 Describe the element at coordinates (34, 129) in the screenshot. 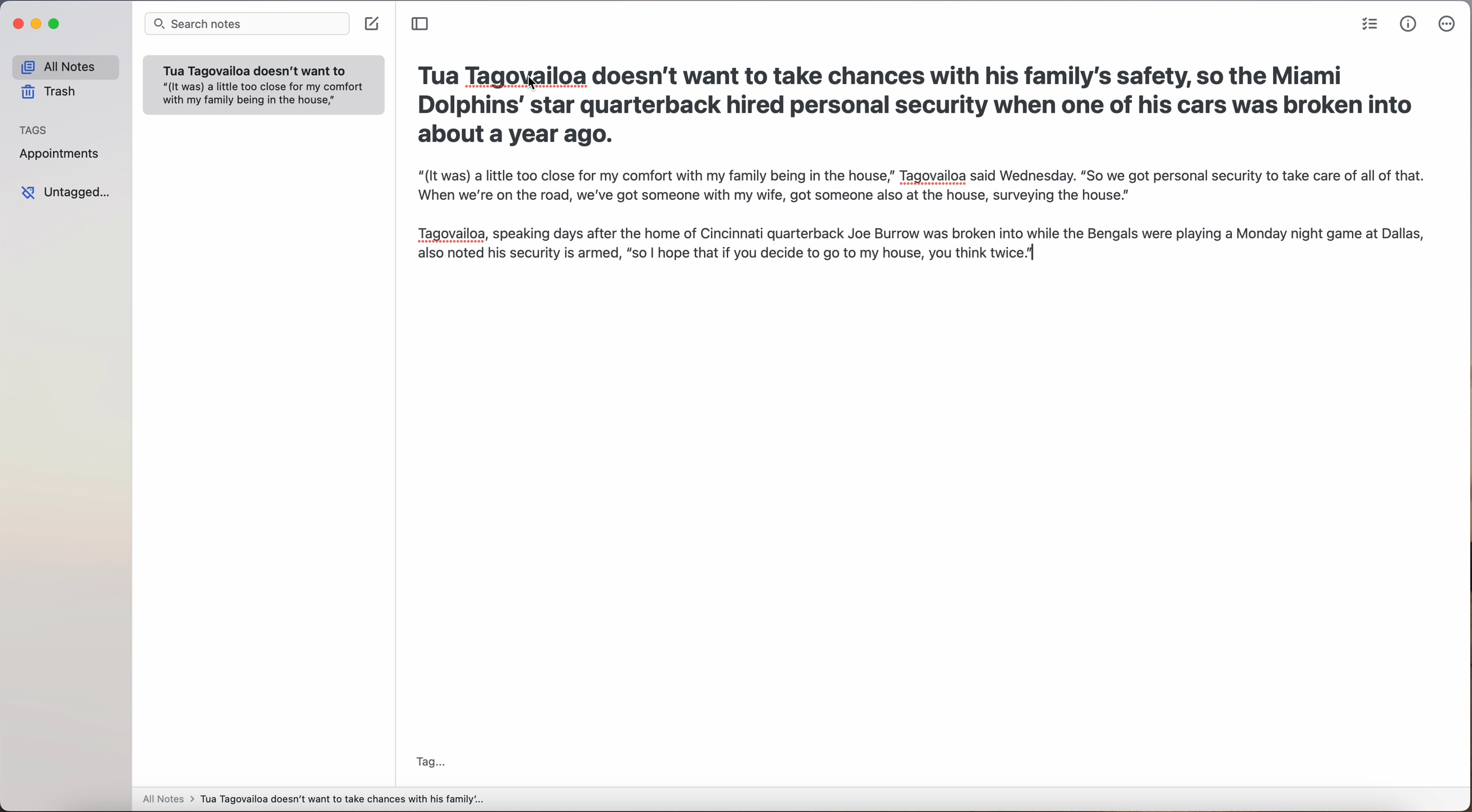

I see `tags` at that location.